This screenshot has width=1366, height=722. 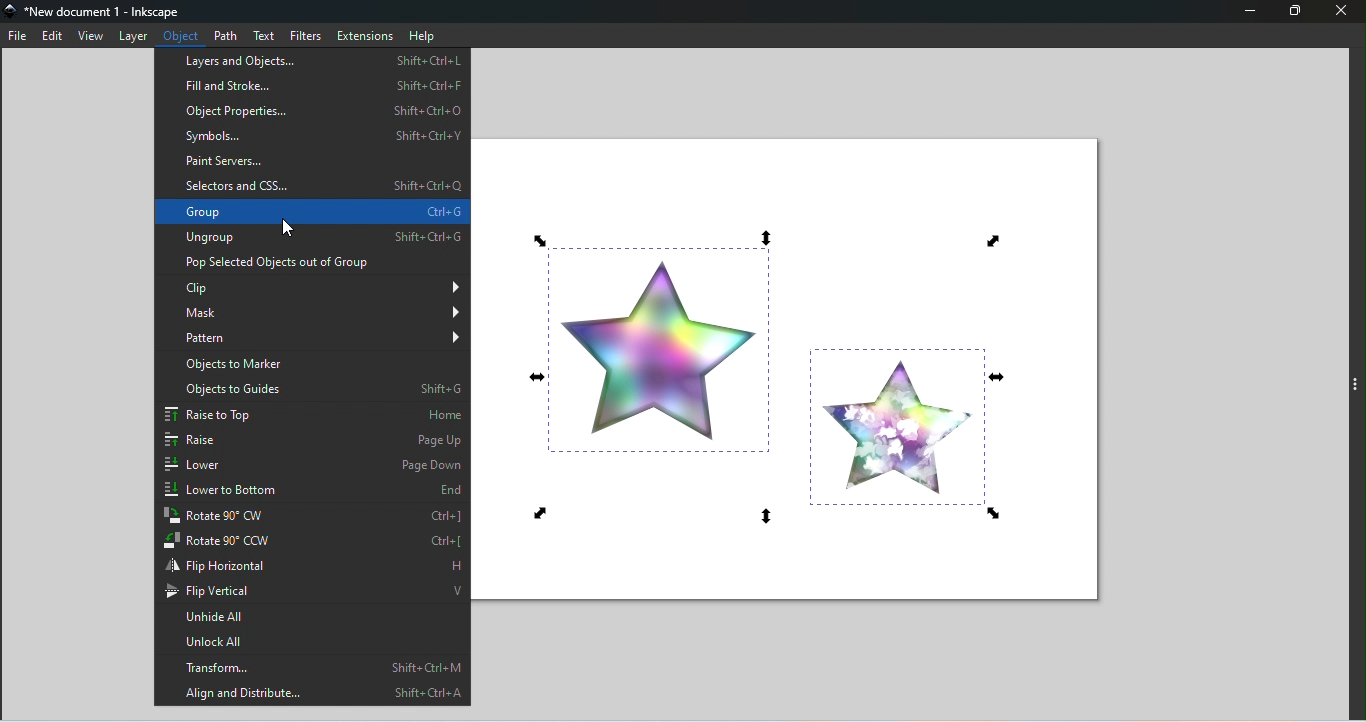 What do you see at coordinates (311, 162) in the screenshot?
I see `Paint servers` at bounding box center [311, 162].